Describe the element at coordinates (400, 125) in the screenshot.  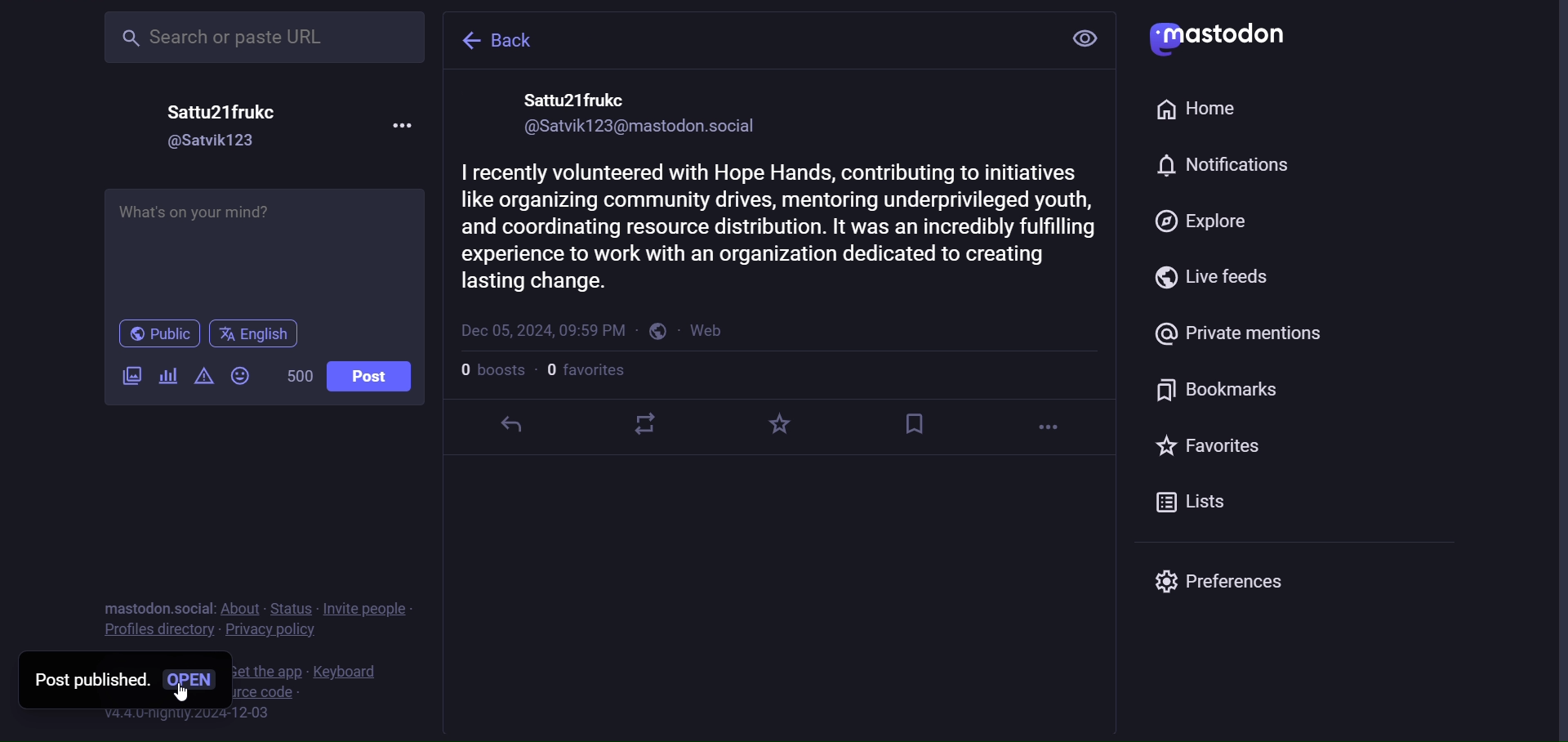
I see `more` at that location.